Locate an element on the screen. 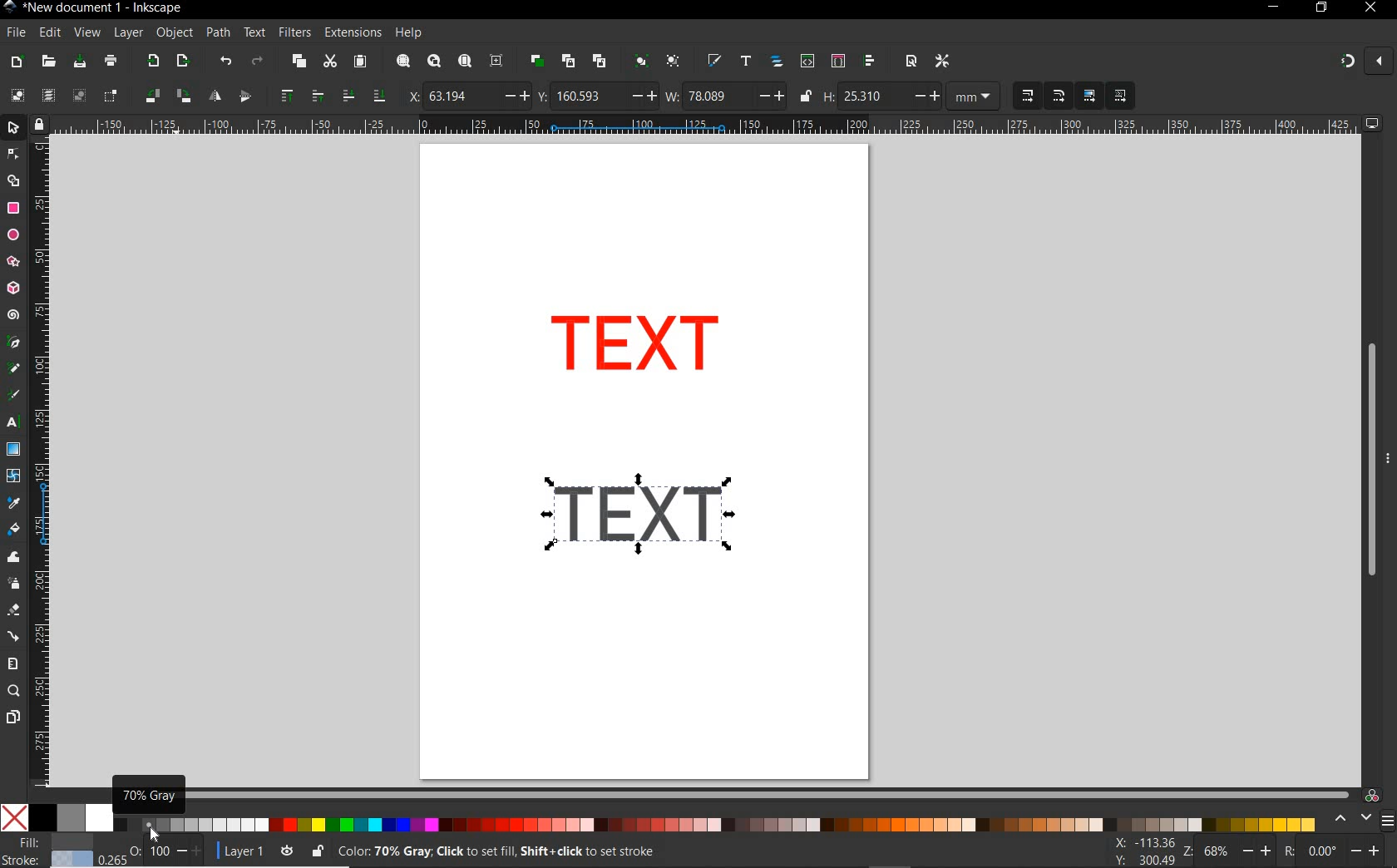 This screenshot has height=868, width=1397. zoom drawing is located at coordinates (433, 63).